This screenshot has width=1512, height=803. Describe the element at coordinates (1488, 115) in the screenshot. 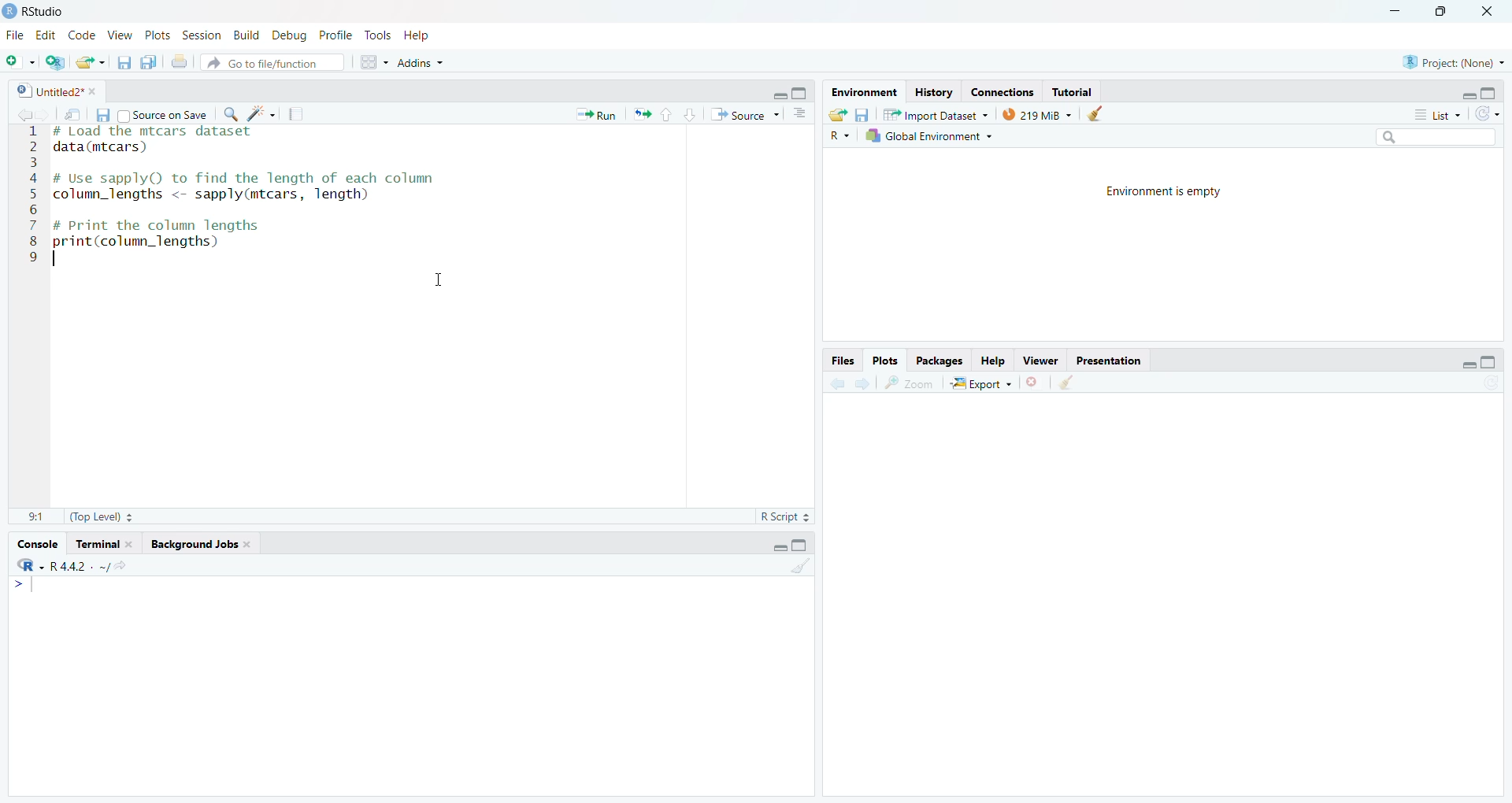

I see `Refresh list` at that location.